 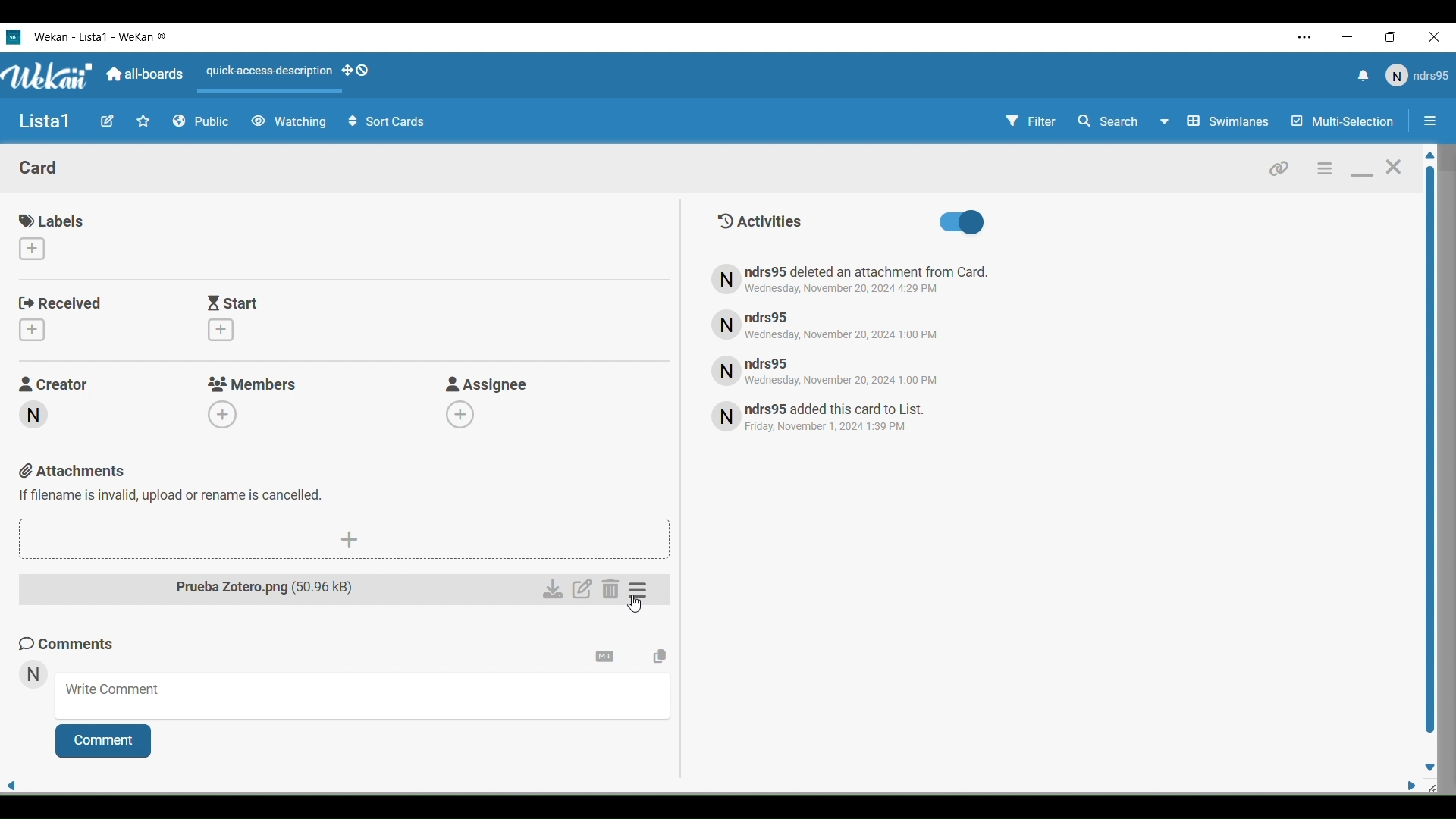 I want to click on Add assignee, so click(x=460, y=414).